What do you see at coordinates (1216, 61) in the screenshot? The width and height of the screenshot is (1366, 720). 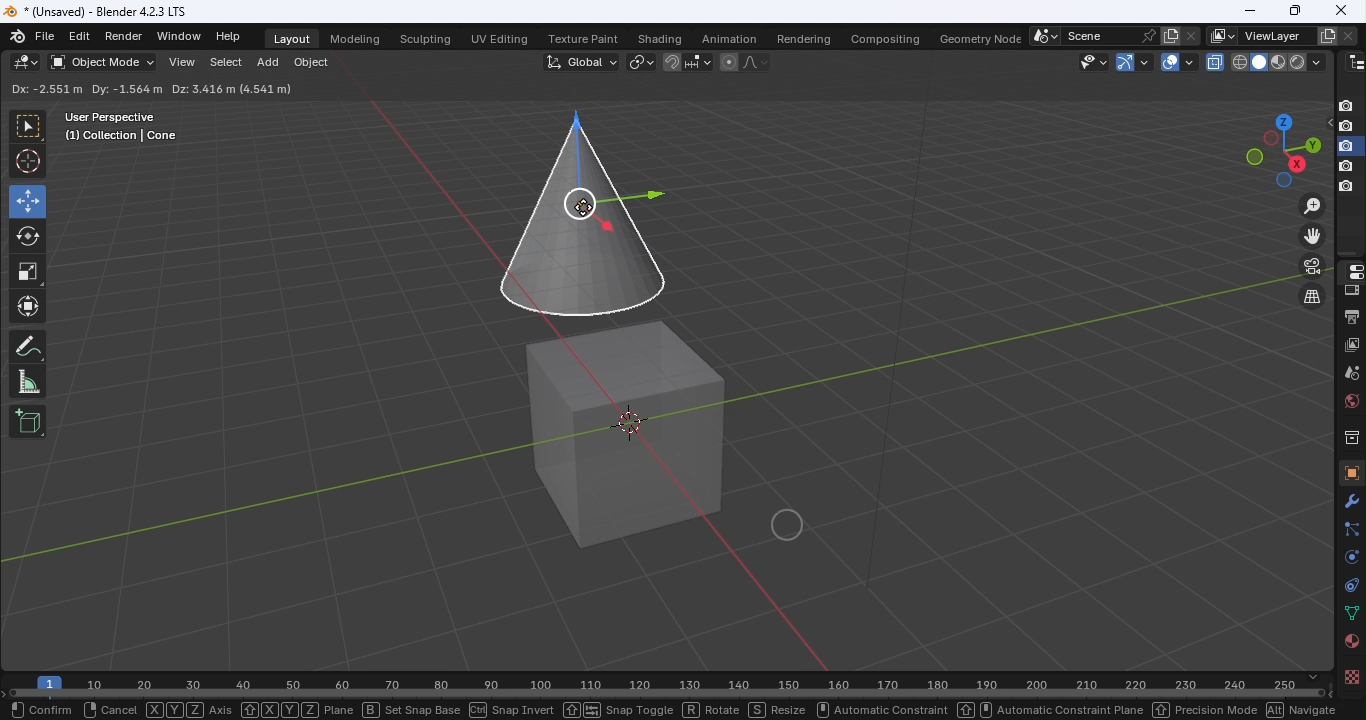 I see `Toggle X-Ray` at bounding box center [1216, 61].